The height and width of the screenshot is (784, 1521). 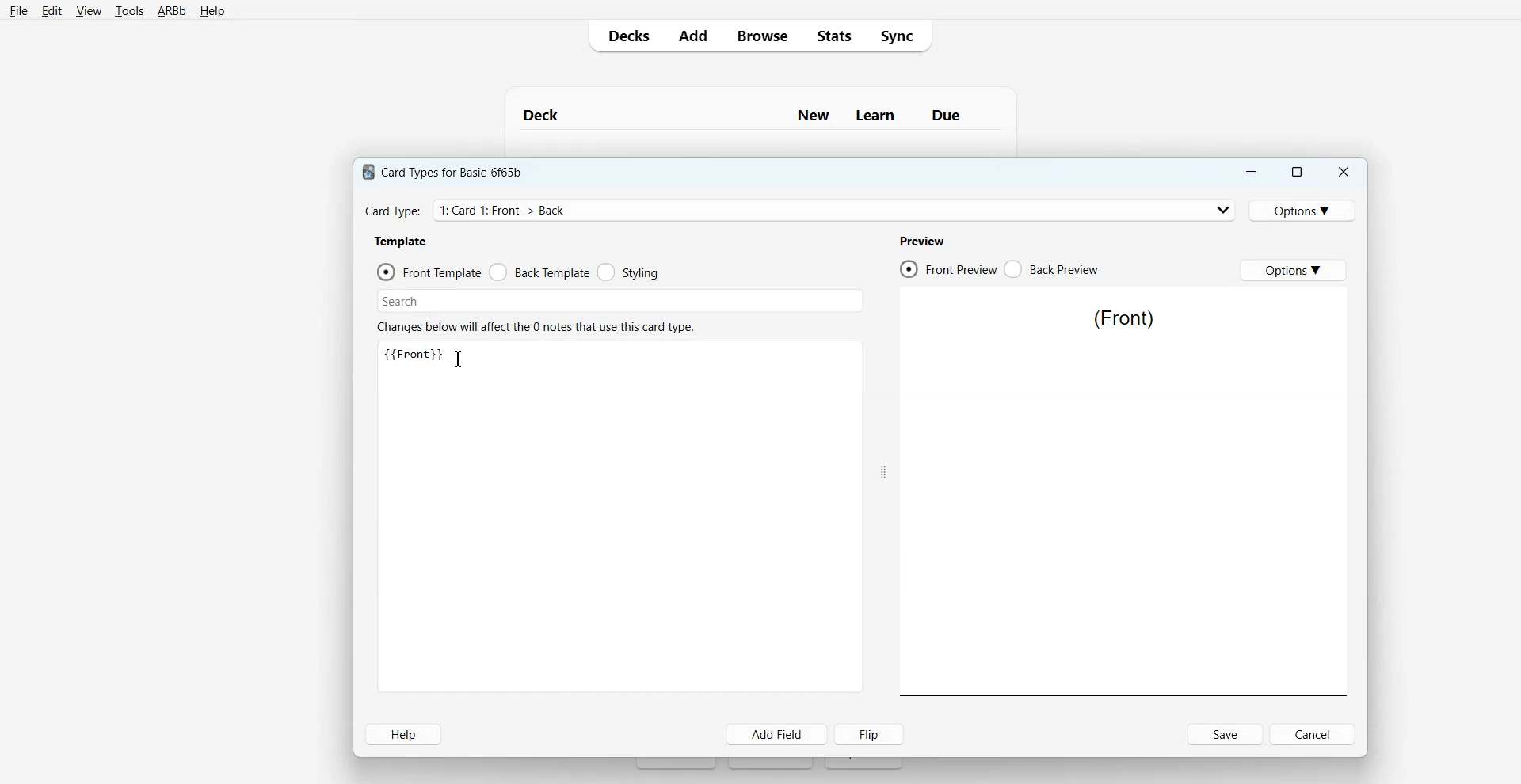 What do you see at coordinates (628, 272) in the screenshot?
I see `Styling` at bounding box center [628, 272].